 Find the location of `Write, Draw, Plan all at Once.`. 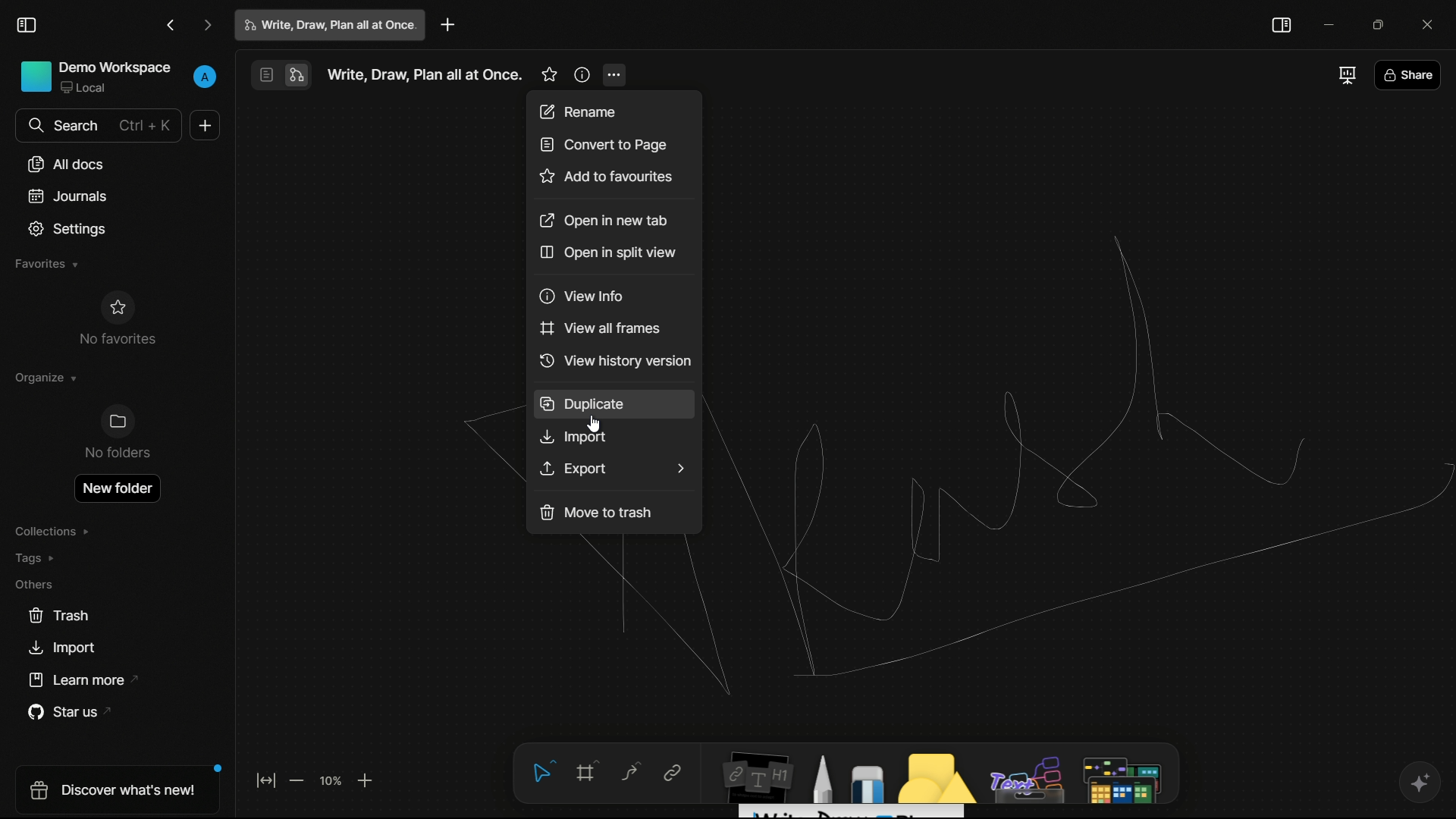

Write, Draw, Plan all at Once. is located at coordinates (423, 73).